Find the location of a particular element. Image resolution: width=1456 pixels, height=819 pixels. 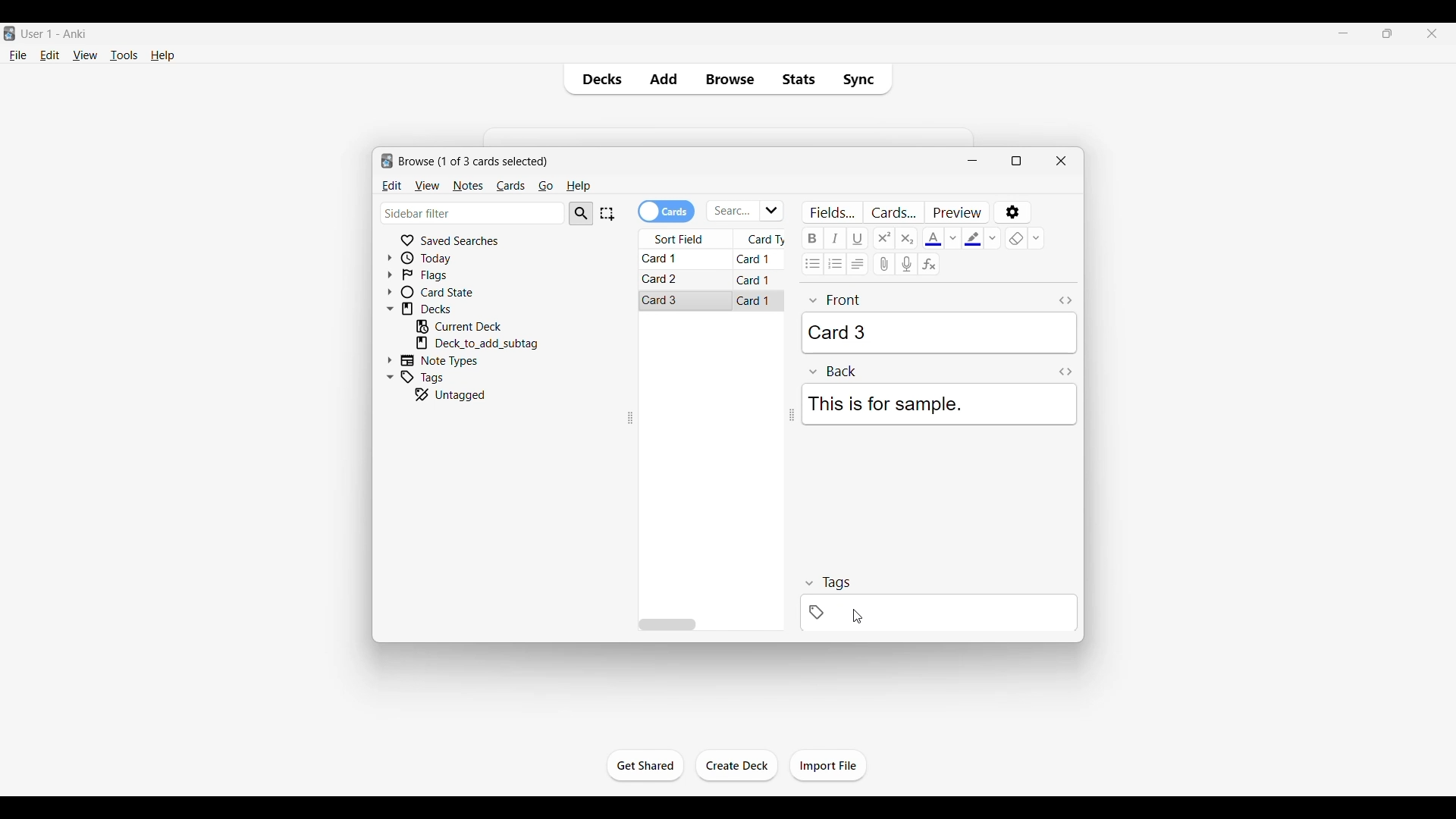

Superscript is located at coordinates (883, 238).